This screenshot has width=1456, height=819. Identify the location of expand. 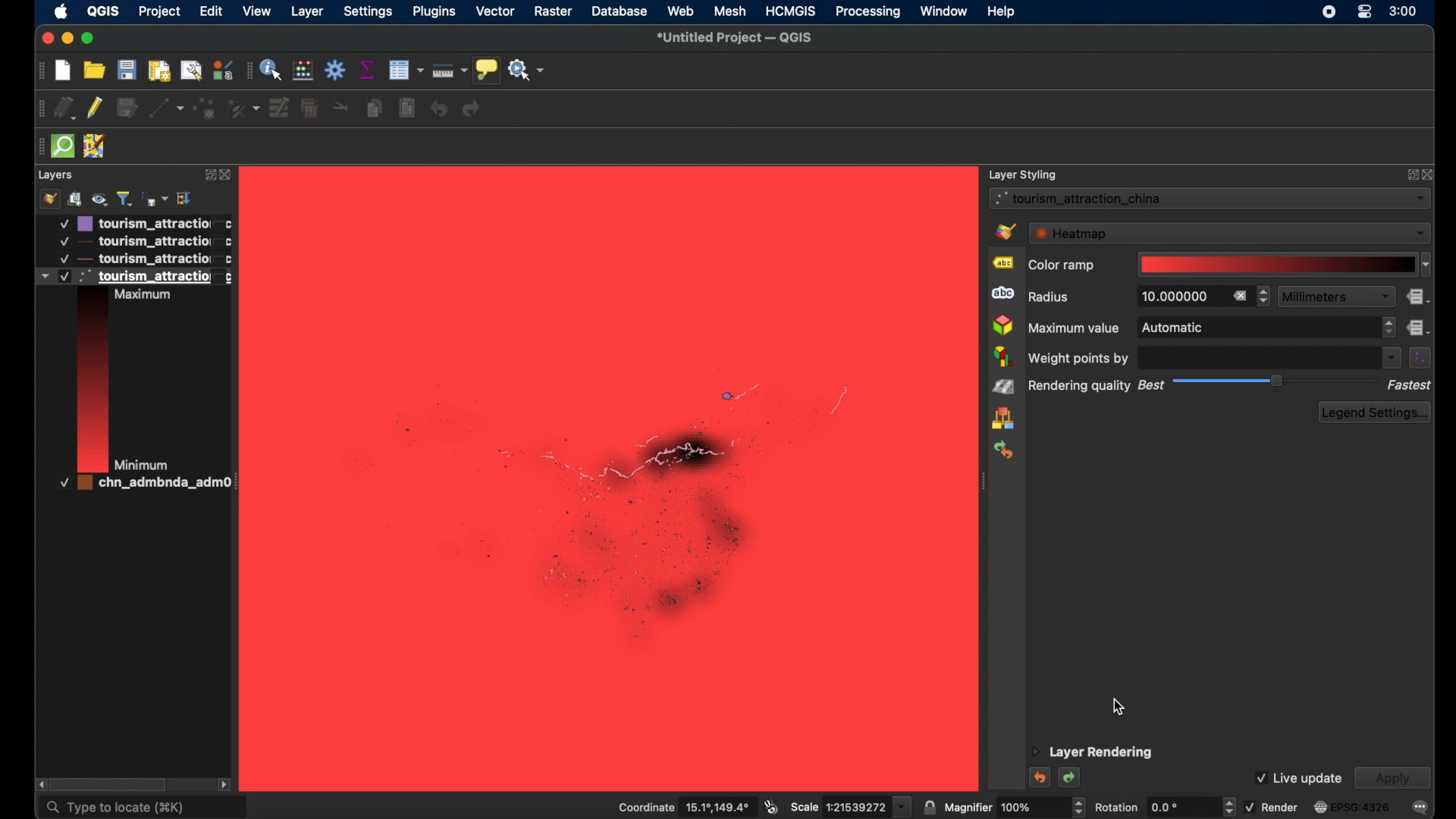
(207, 175).